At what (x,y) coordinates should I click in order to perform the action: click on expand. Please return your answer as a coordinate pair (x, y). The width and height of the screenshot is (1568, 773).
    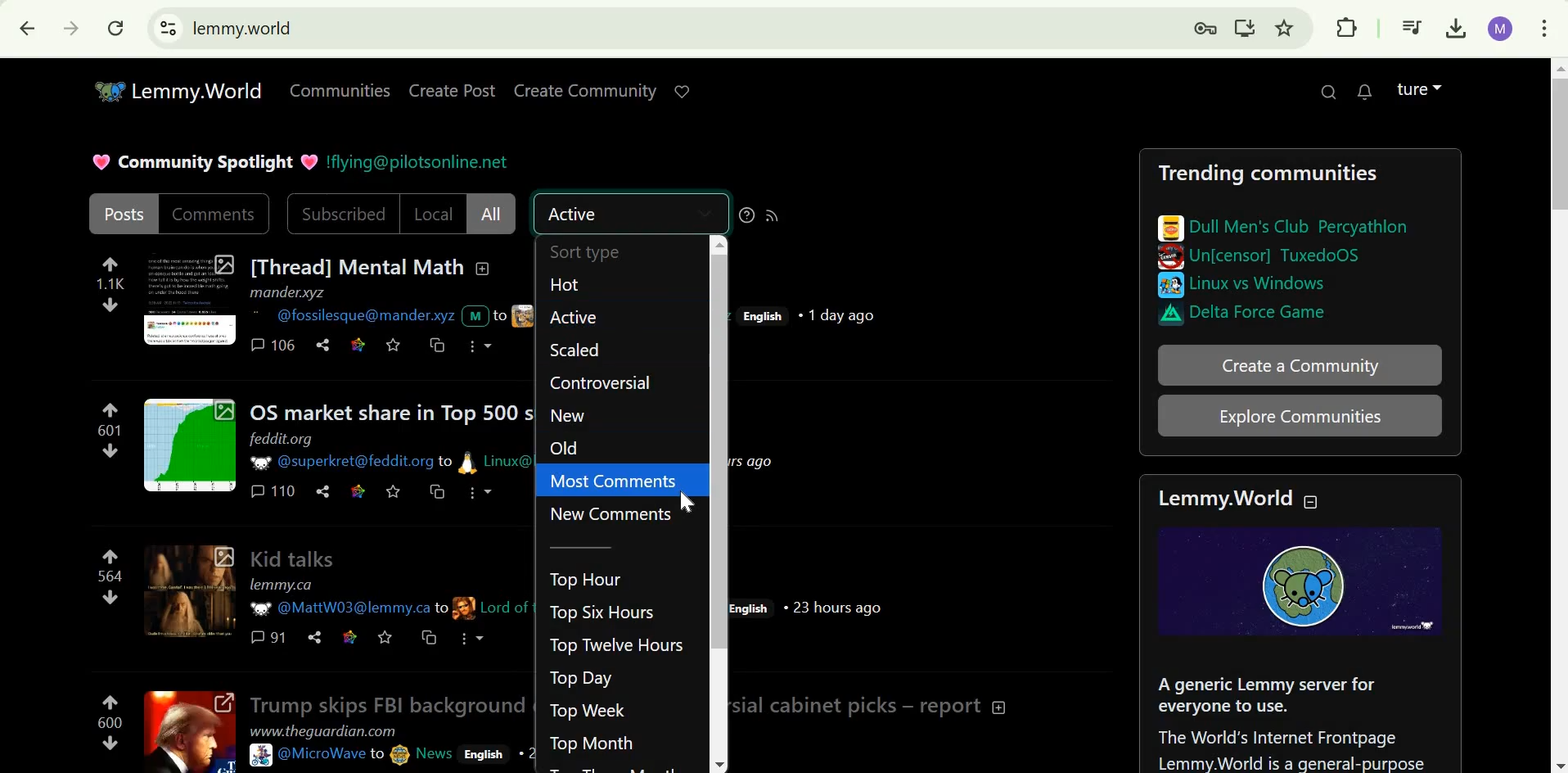
    Looking at the image, I should click on (189, 591).